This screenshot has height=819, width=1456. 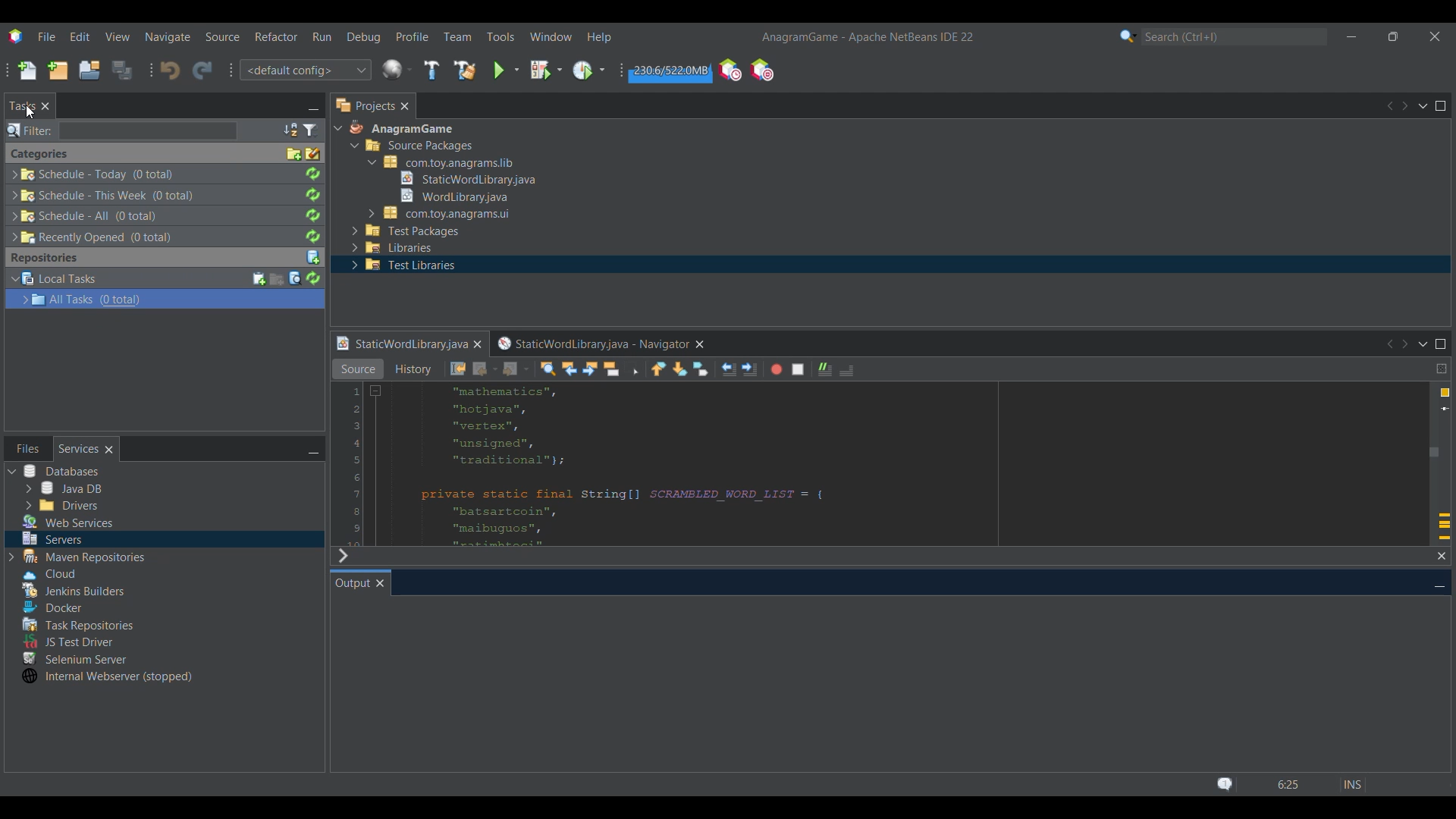 What do you see at coordinates (443, 213) in the screenshot?
I see `` at bounding box center [443, 213].